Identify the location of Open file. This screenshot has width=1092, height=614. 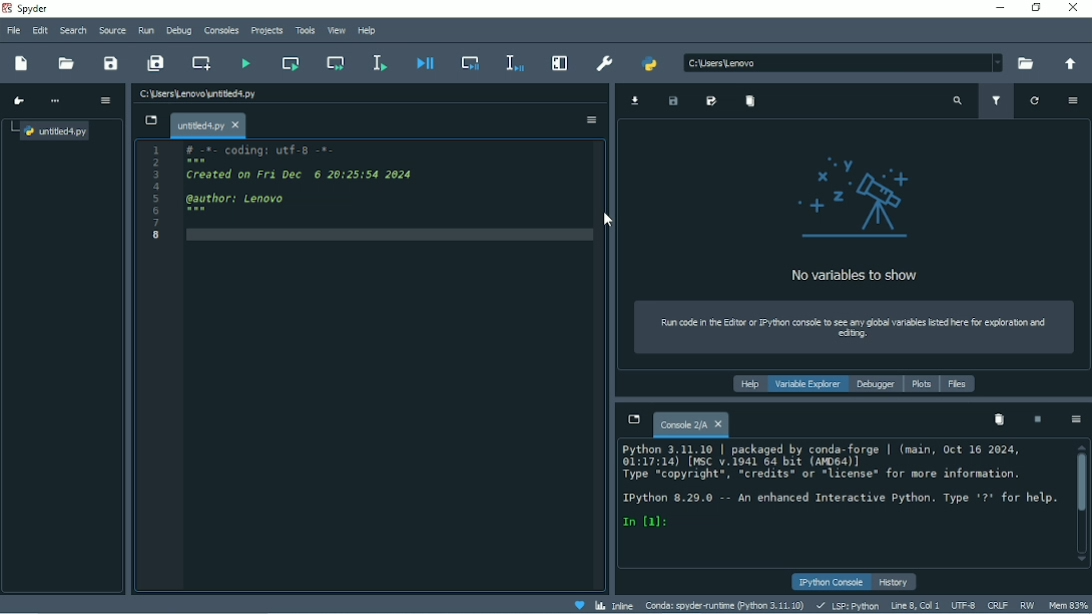
(67, 63).